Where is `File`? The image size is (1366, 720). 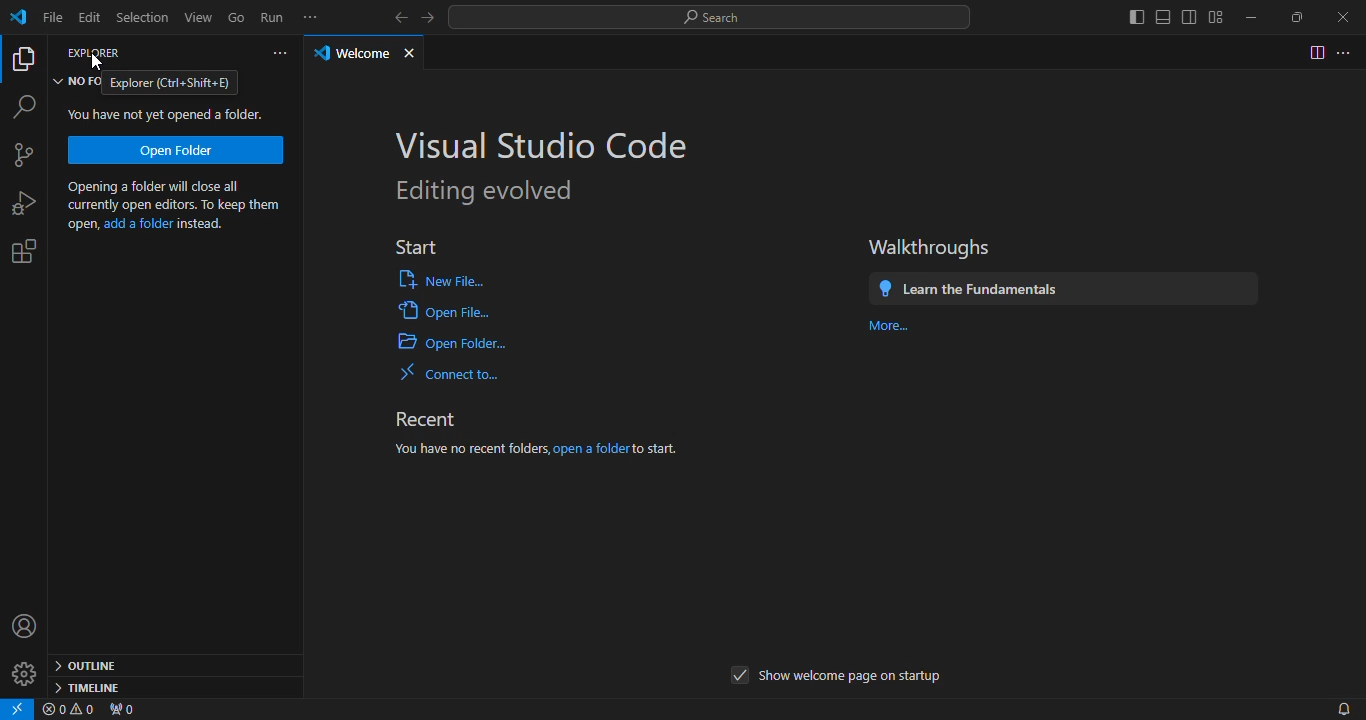
File is located at coordinates (49, 16).